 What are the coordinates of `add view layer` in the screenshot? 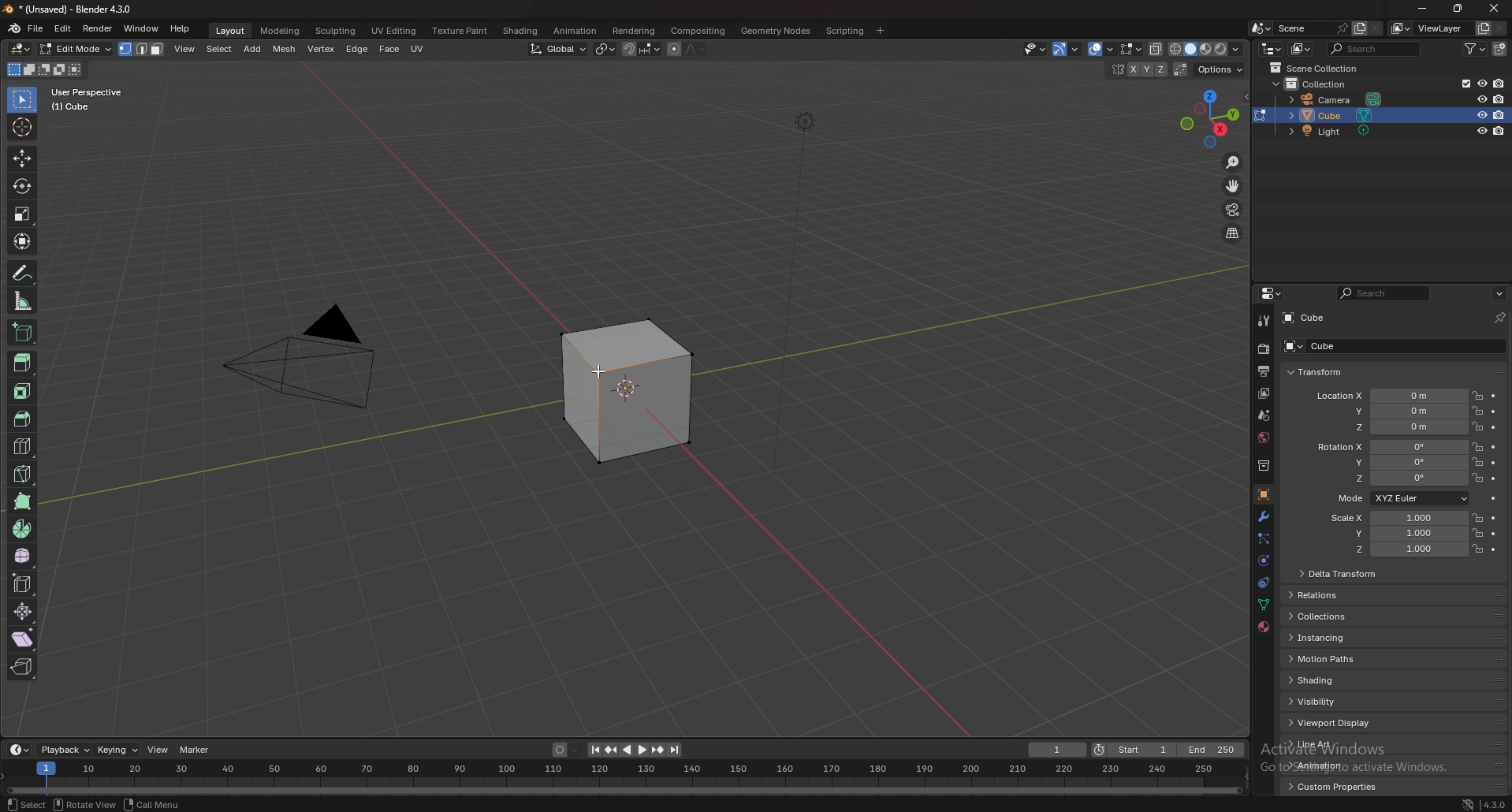 It's located at (1484, 28).